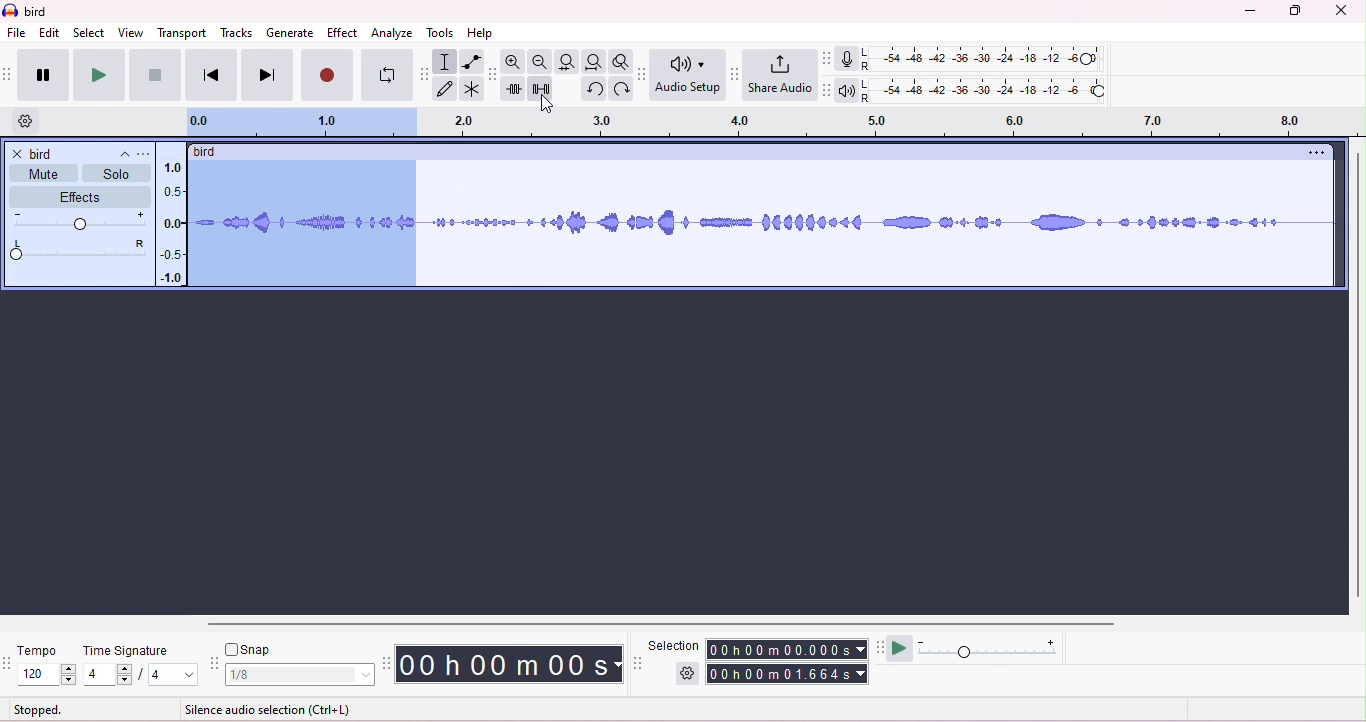  Describe the element at coordinates (171, 220) in the screenshot. I see `amplitude` at that location.